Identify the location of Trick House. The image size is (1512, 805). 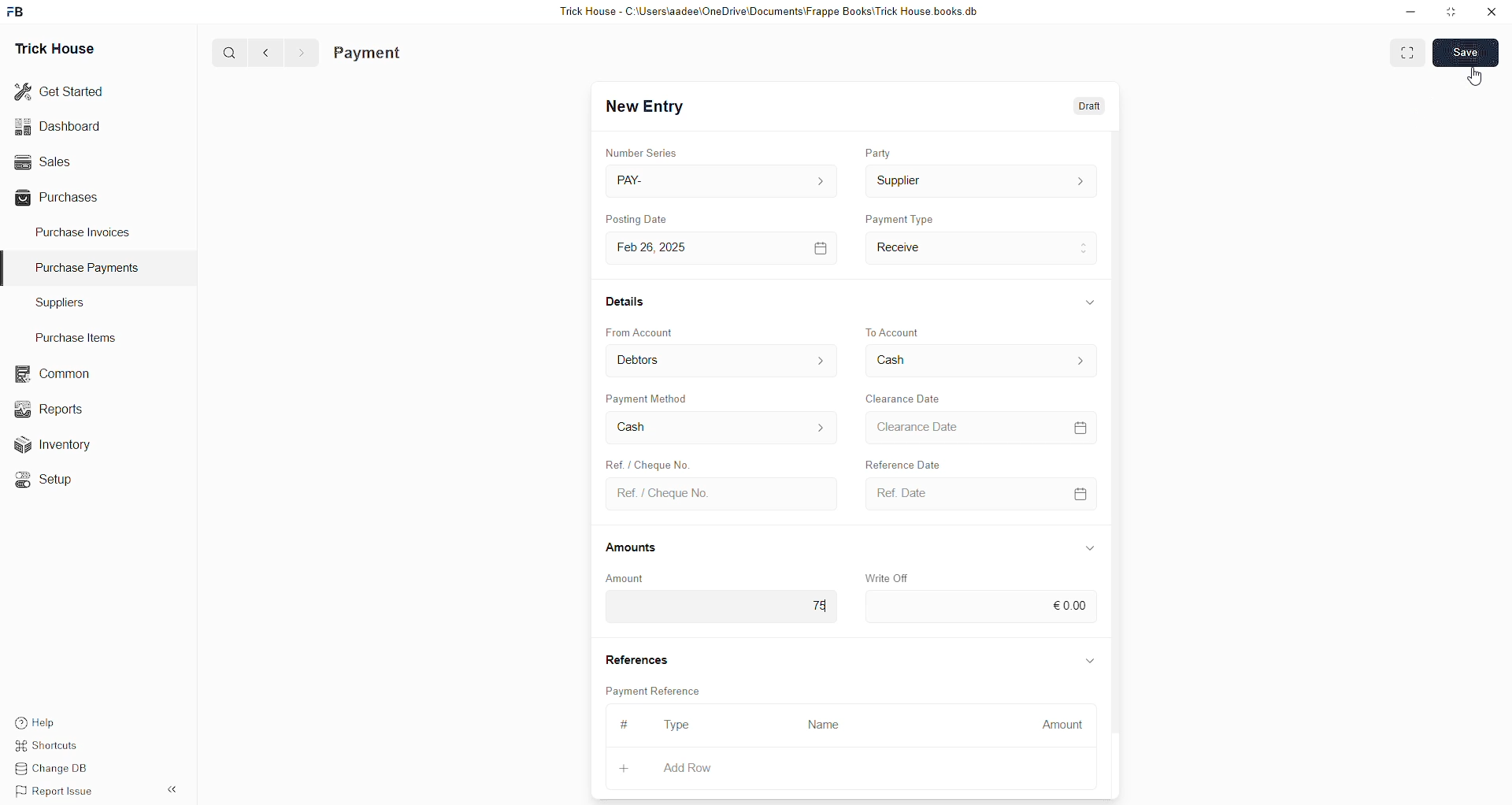
(57, 46).